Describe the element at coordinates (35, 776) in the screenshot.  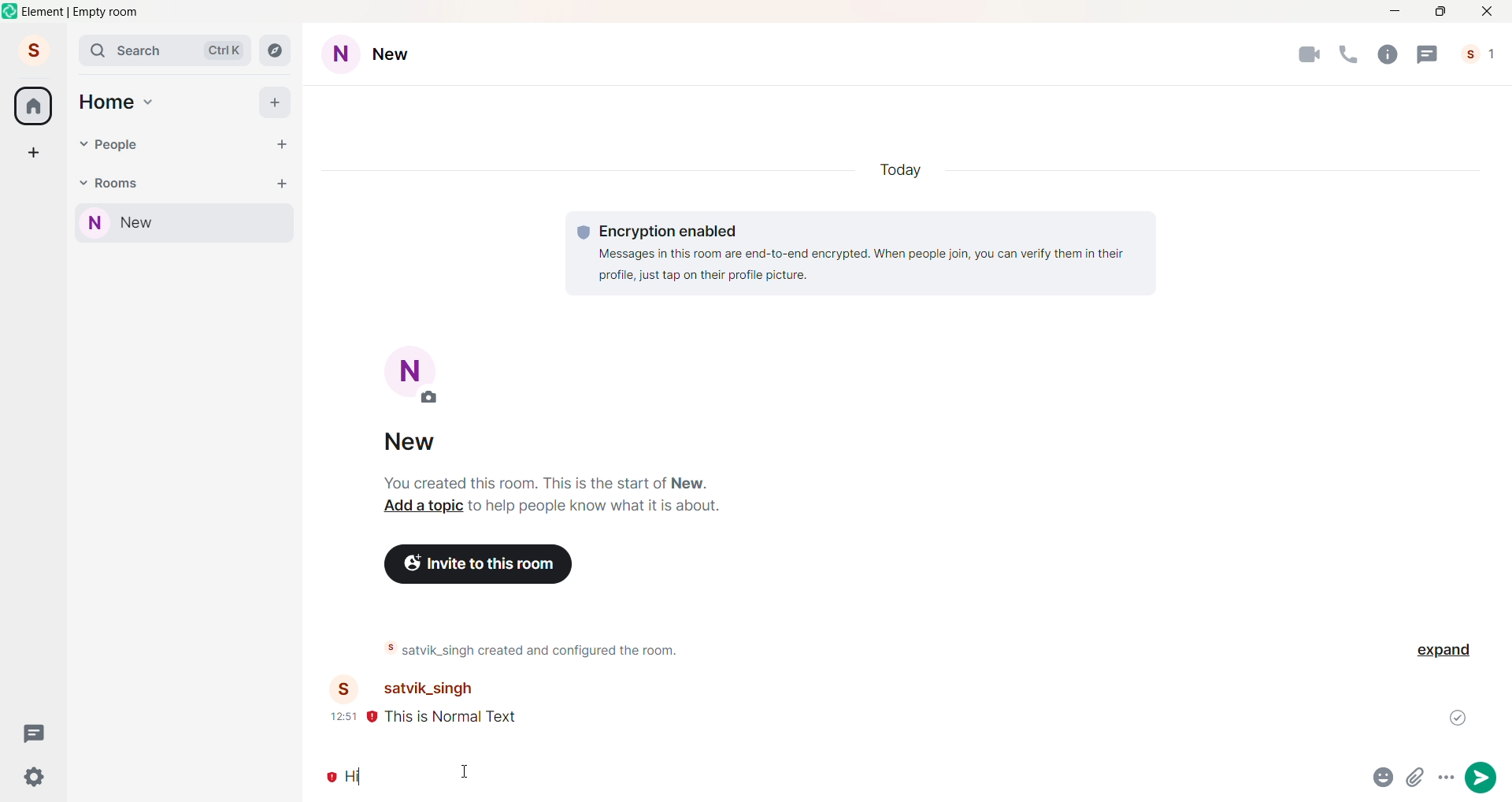
I see `Quick Settings` at that location.